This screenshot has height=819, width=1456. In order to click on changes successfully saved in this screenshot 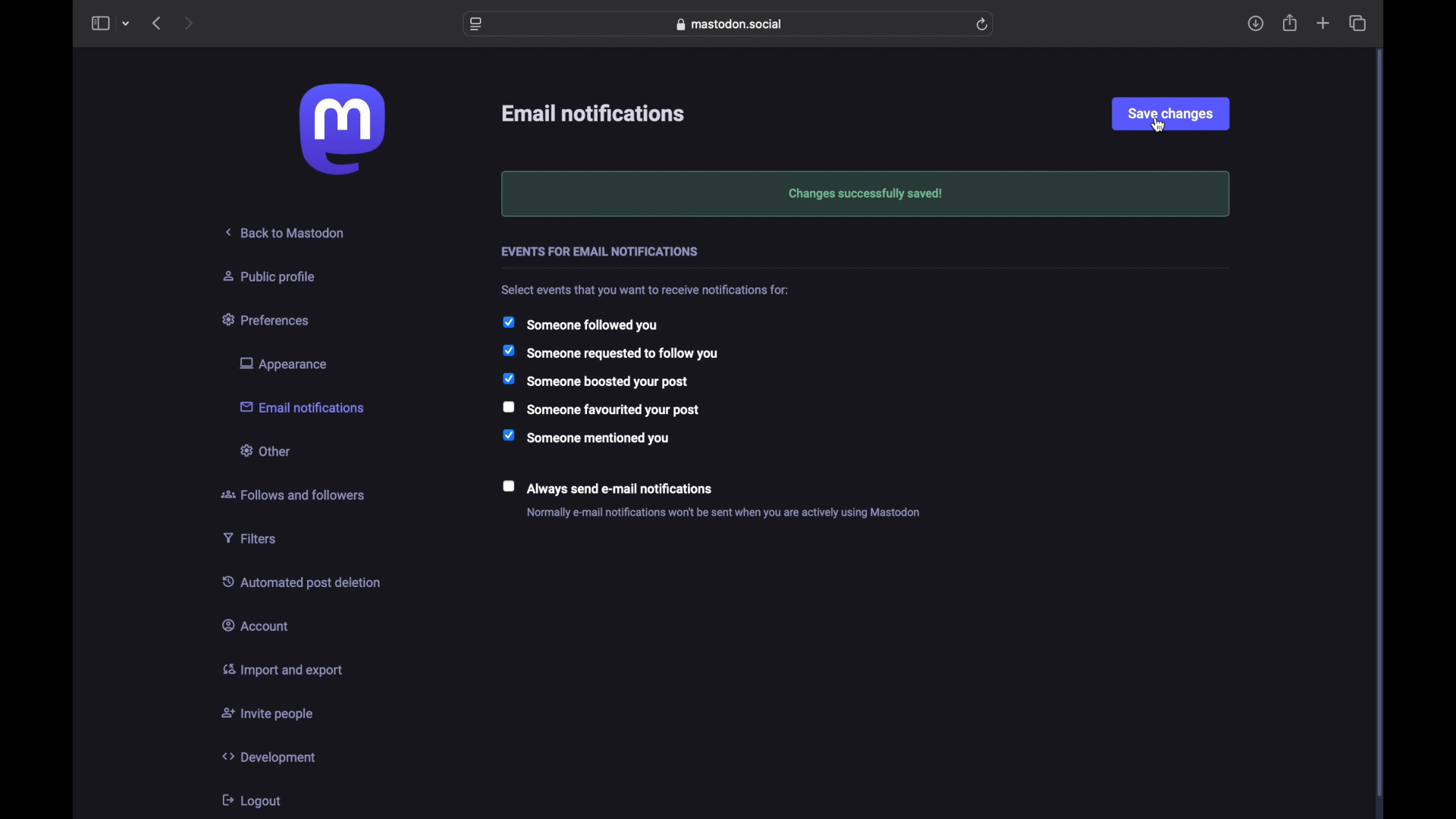, I will do `click(865, 194)`.